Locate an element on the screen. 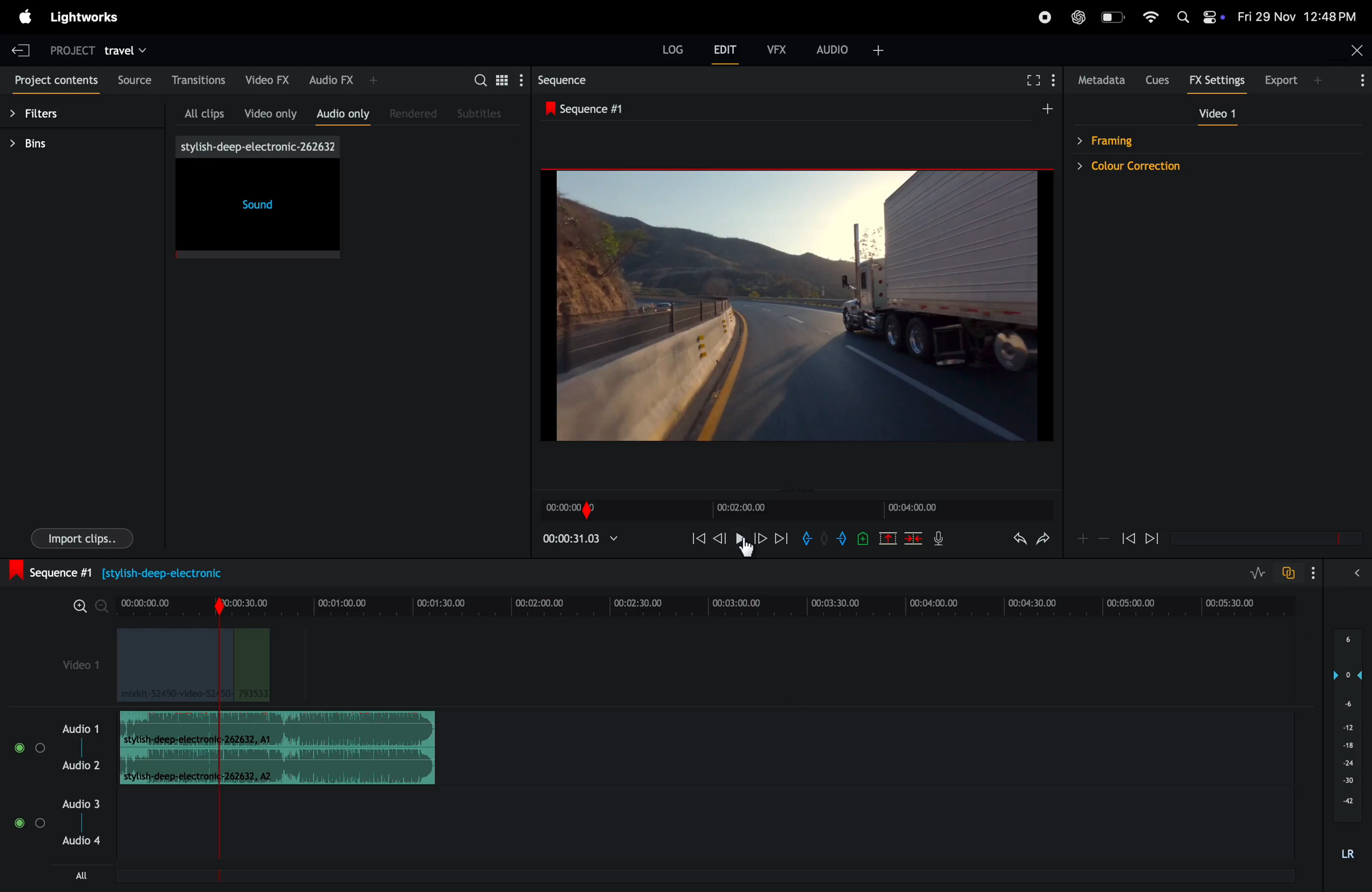  zoom in zoom out is located at coordinates (84, 605).